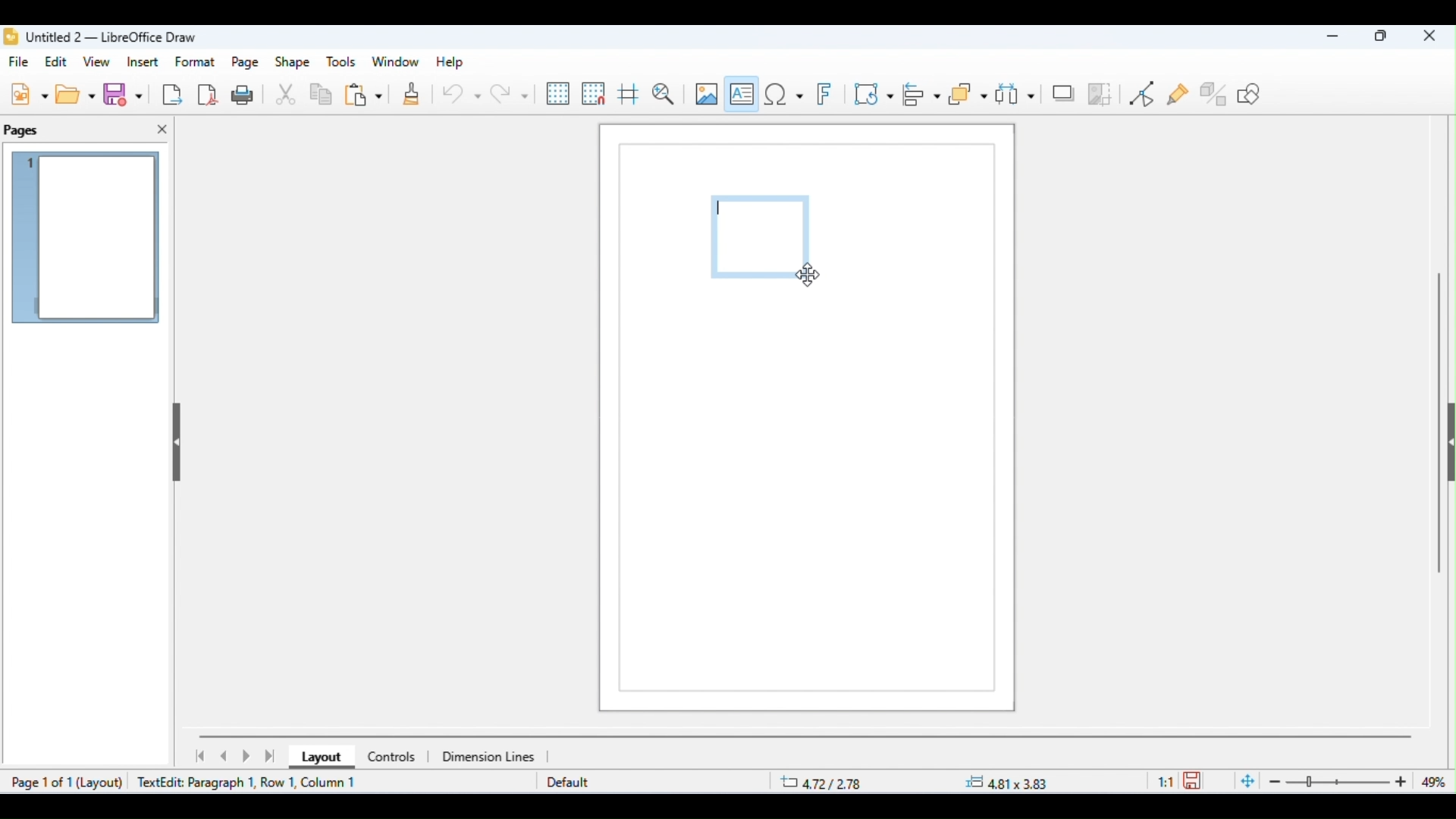  Describe the element at coordinates (1328, 39) in the screenshot. I see `minimize` at that location.